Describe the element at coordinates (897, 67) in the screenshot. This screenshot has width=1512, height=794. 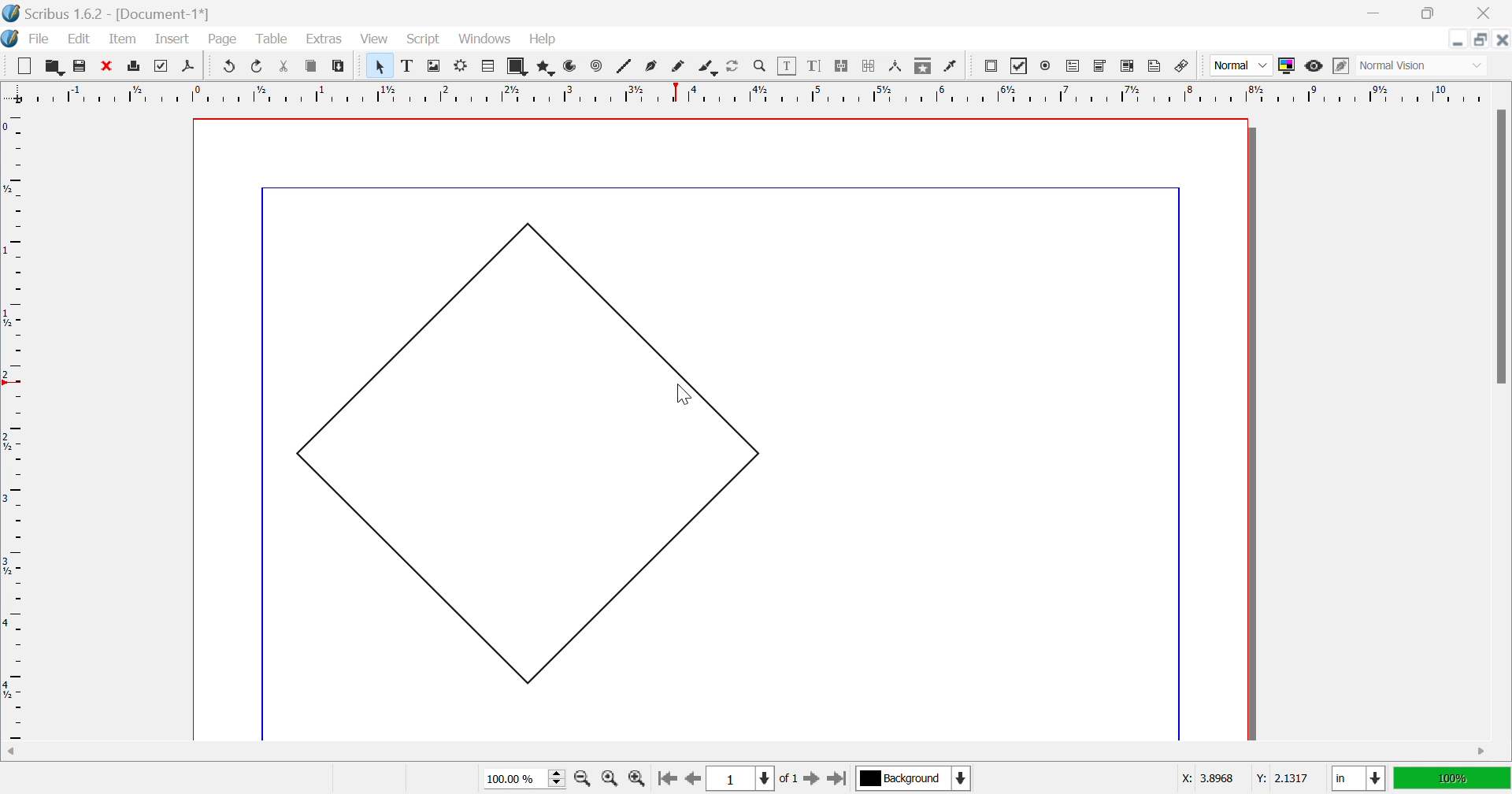
I see `Measurements` at that location.